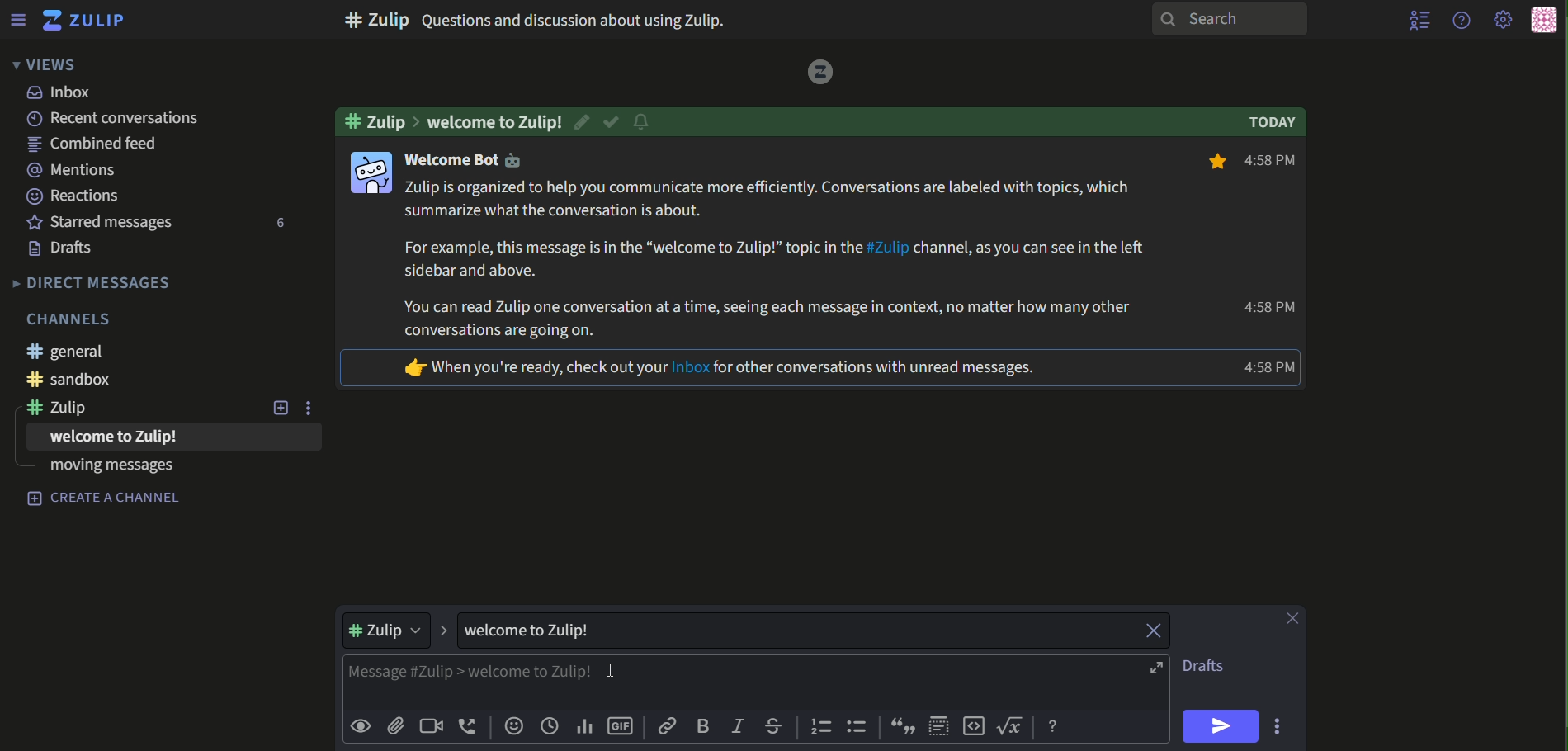  What do you see at coordinates (939, 725) in the screenshot?
I see `spoiler` at bounding box center [939, 725].